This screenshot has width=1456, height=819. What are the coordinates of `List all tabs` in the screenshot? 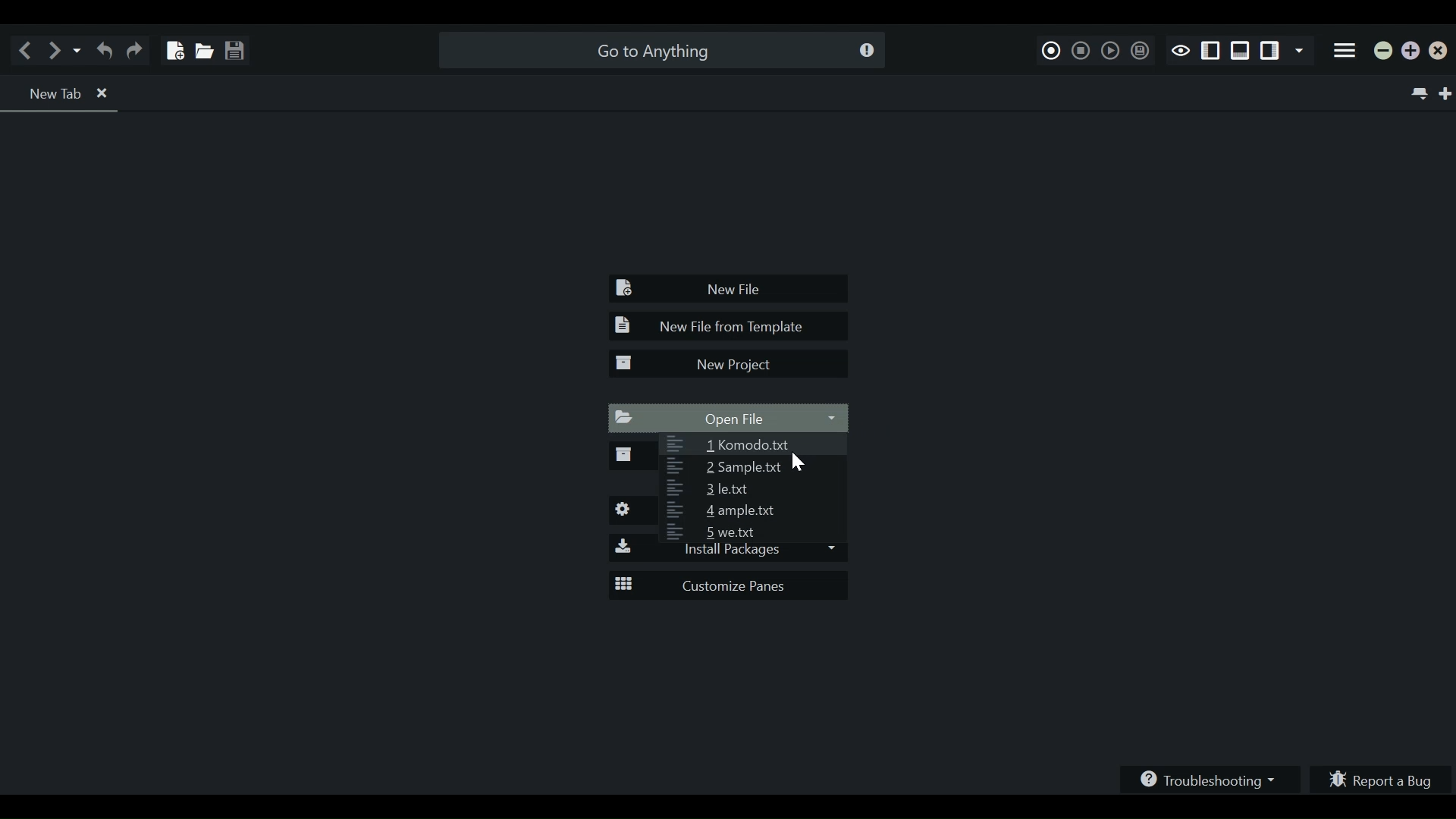 It's located at (1417, 92).